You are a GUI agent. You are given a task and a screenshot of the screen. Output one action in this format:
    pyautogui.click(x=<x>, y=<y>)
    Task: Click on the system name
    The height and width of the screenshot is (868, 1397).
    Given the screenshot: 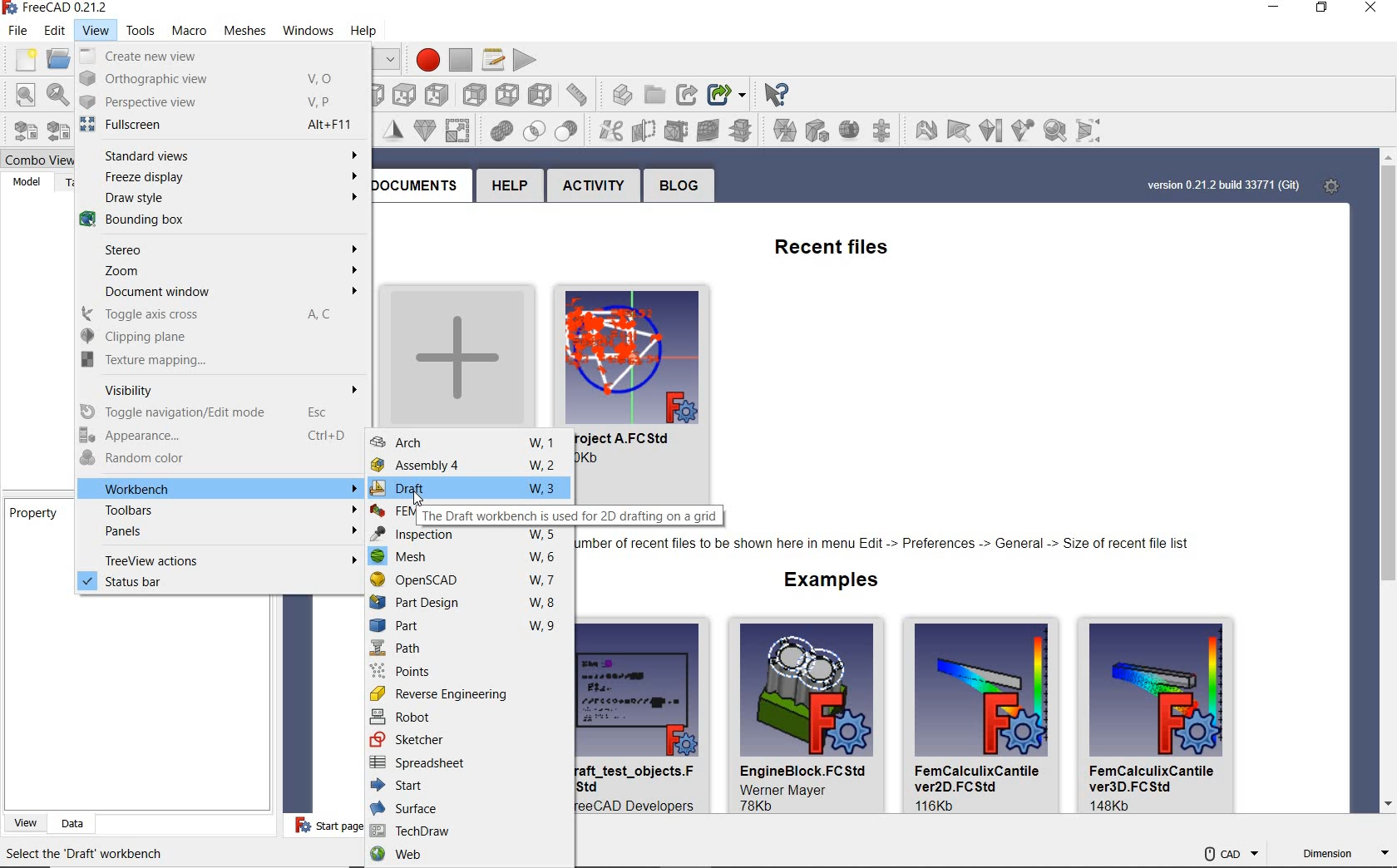 What is the action you would take?
    pyautogui.click(x=58, y=8)
    